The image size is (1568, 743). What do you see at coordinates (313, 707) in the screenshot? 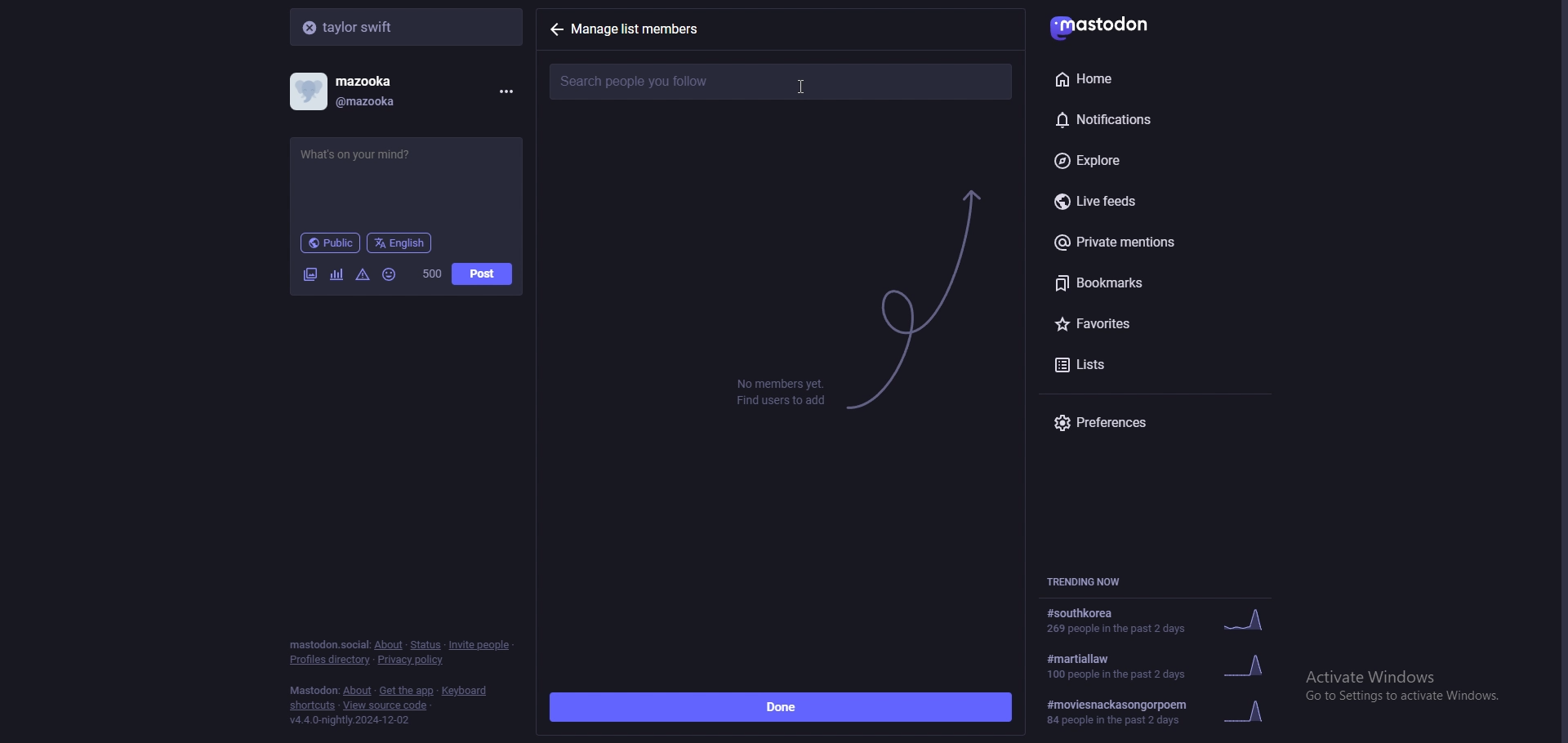
I see `shortcuts` at bounding box center [313, 707].